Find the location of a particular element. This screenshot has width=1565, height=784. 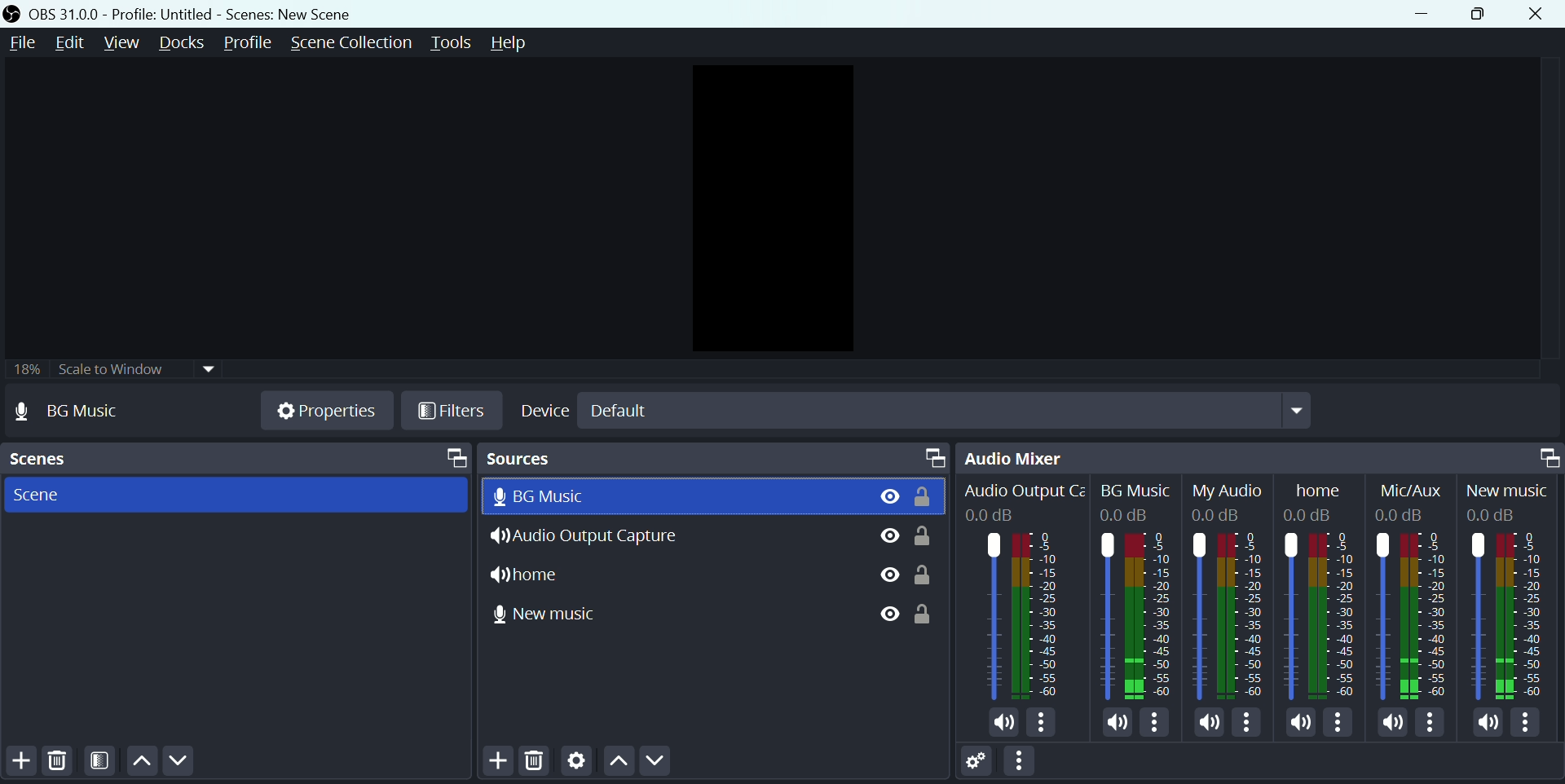

Audio Output is located at coordinates (1025, 590).